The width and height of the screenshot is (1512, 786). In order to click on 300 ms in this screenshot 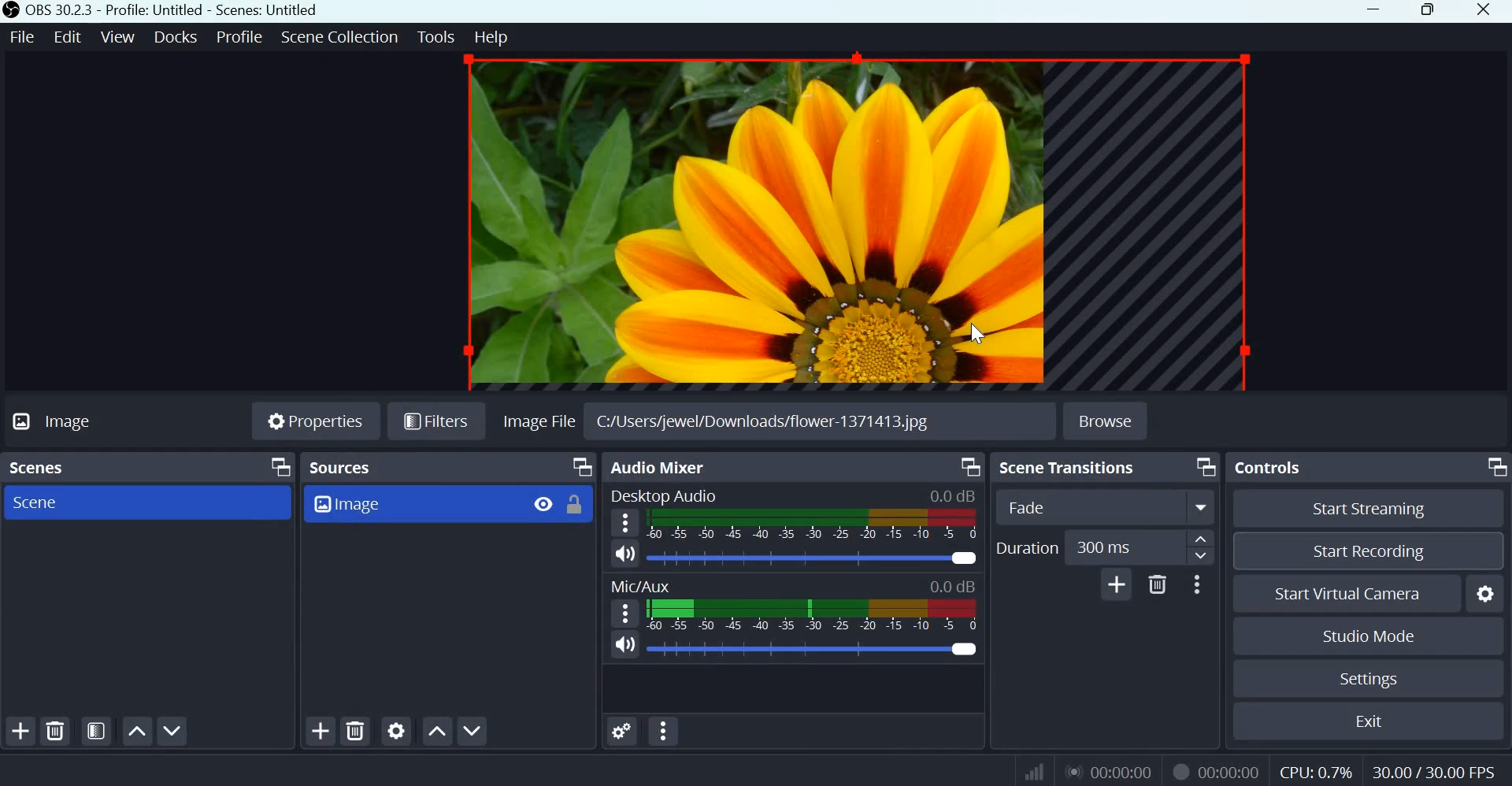, I will do `click(1127, 549)`.